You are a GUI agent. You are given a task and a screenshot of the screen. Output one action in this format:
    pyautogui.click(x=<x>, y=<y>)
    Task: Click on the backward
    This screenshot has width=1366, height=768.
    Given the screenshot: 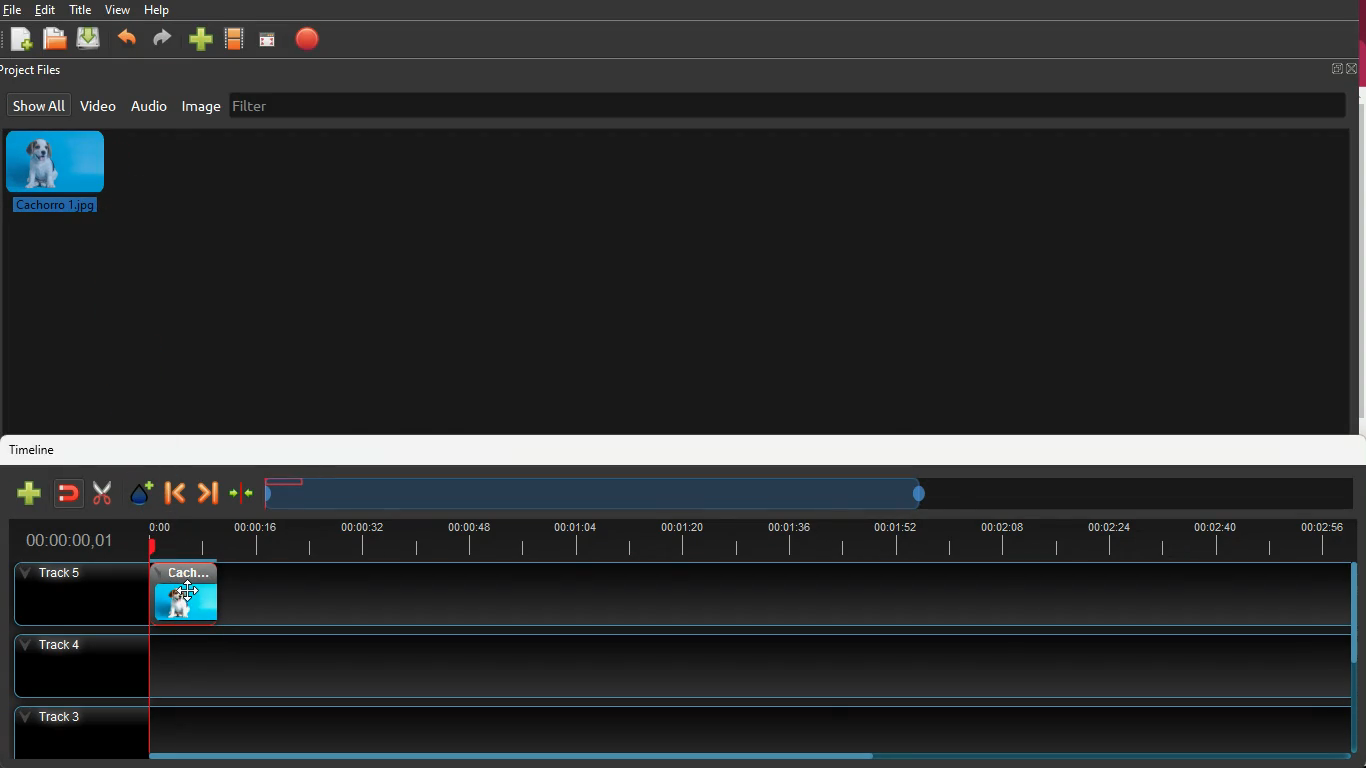 What is the action you would take?
    pyautogui.click(x=174, y=493)
    